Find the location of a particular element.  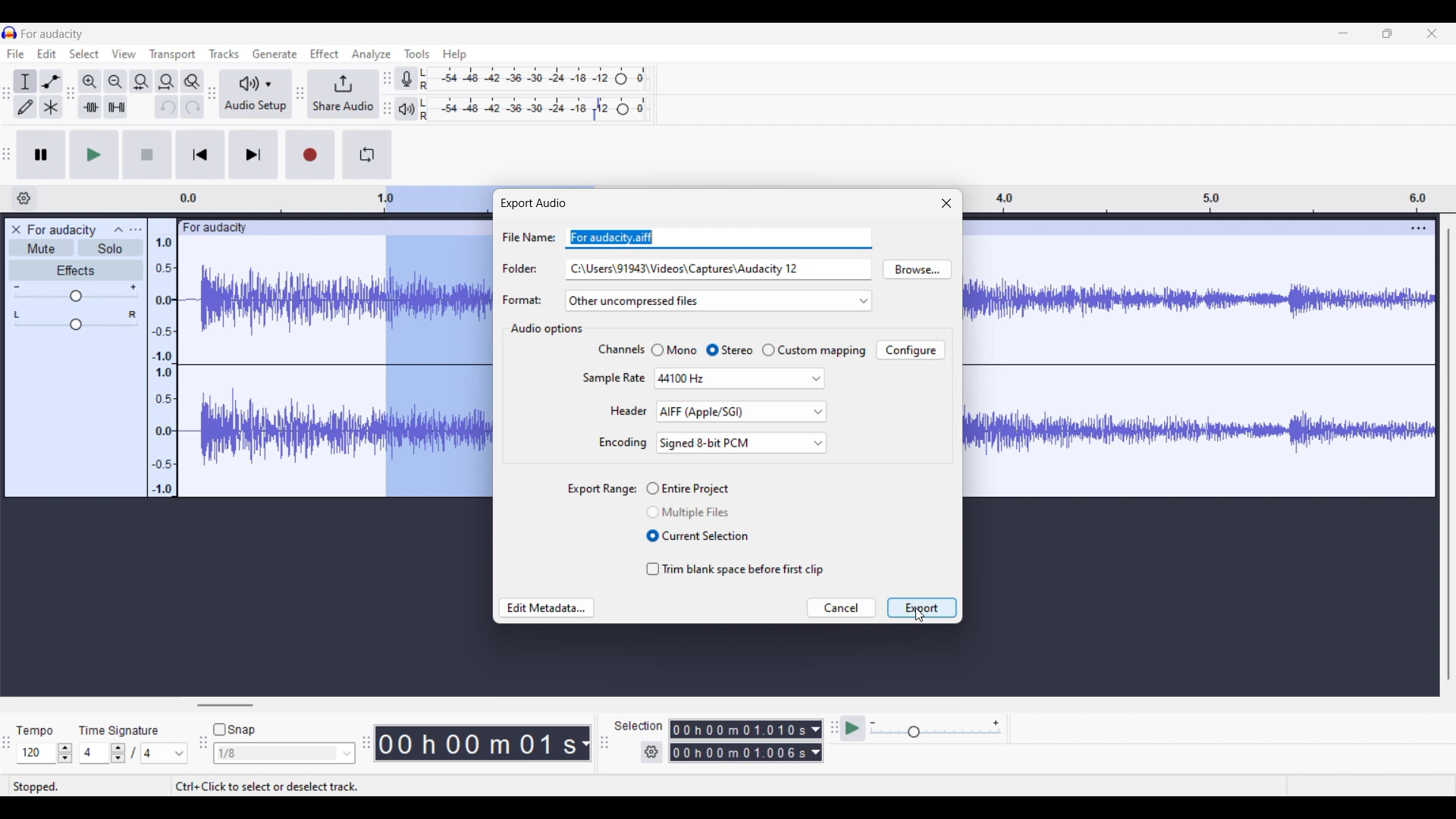

Configure is located at coordinates (910, 350).